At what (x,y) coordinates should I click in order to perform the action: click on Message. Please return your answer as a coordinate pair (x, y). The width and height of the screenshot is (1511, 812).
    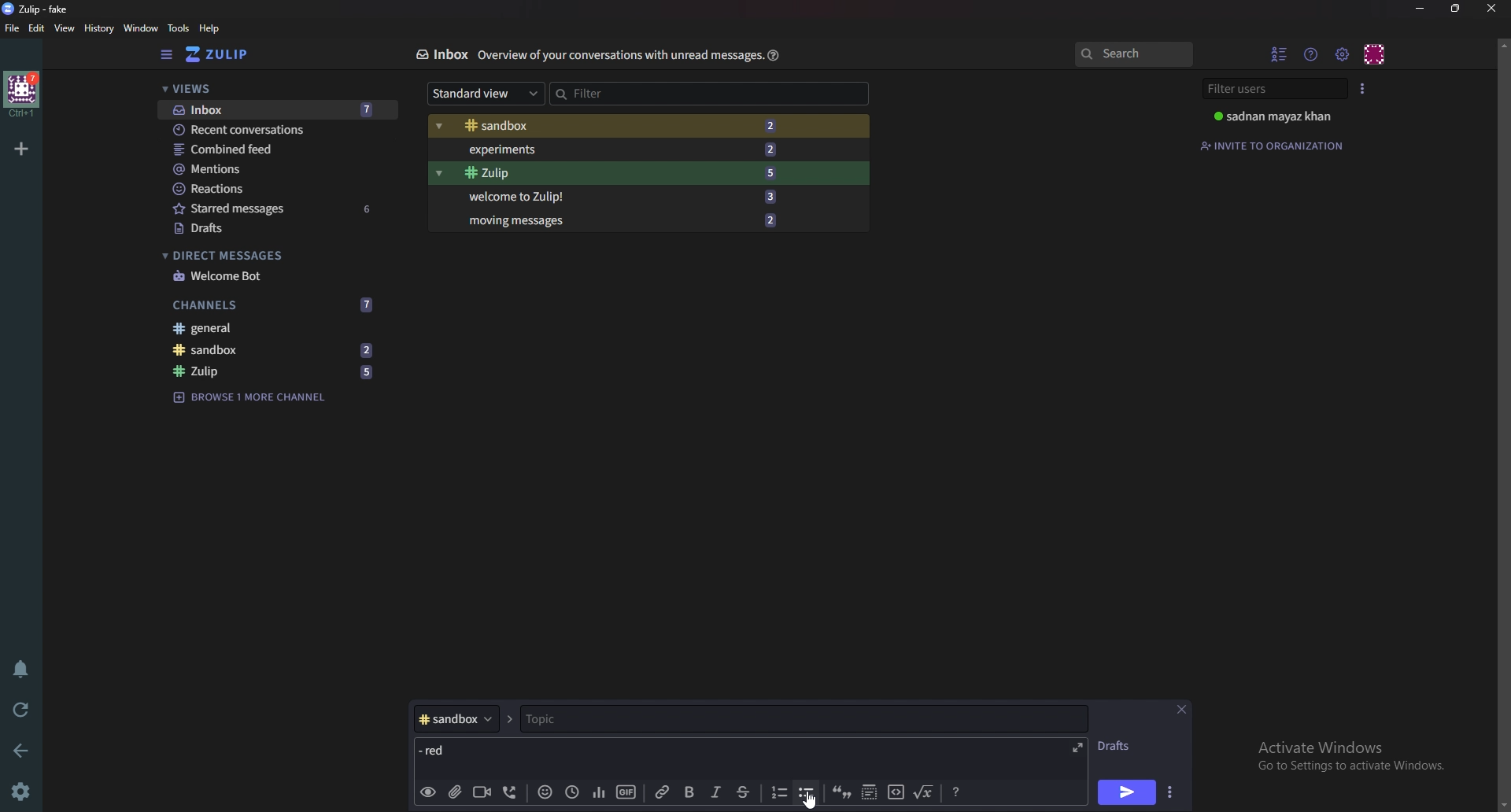
    Looking at the image, I should click on (447, 751).